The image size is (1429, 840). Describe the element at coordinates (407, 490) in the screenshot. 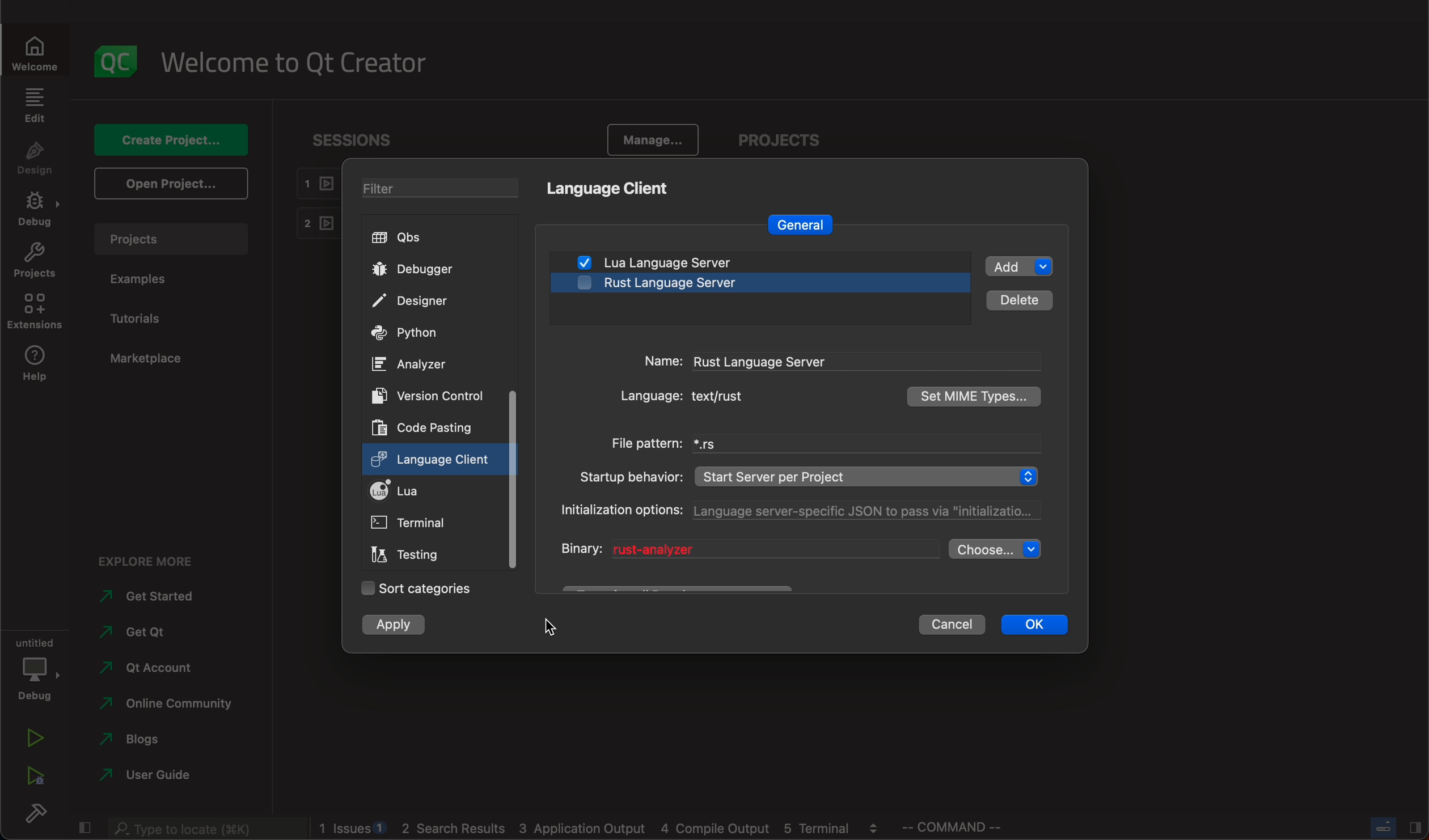

I see `lua` at that location.